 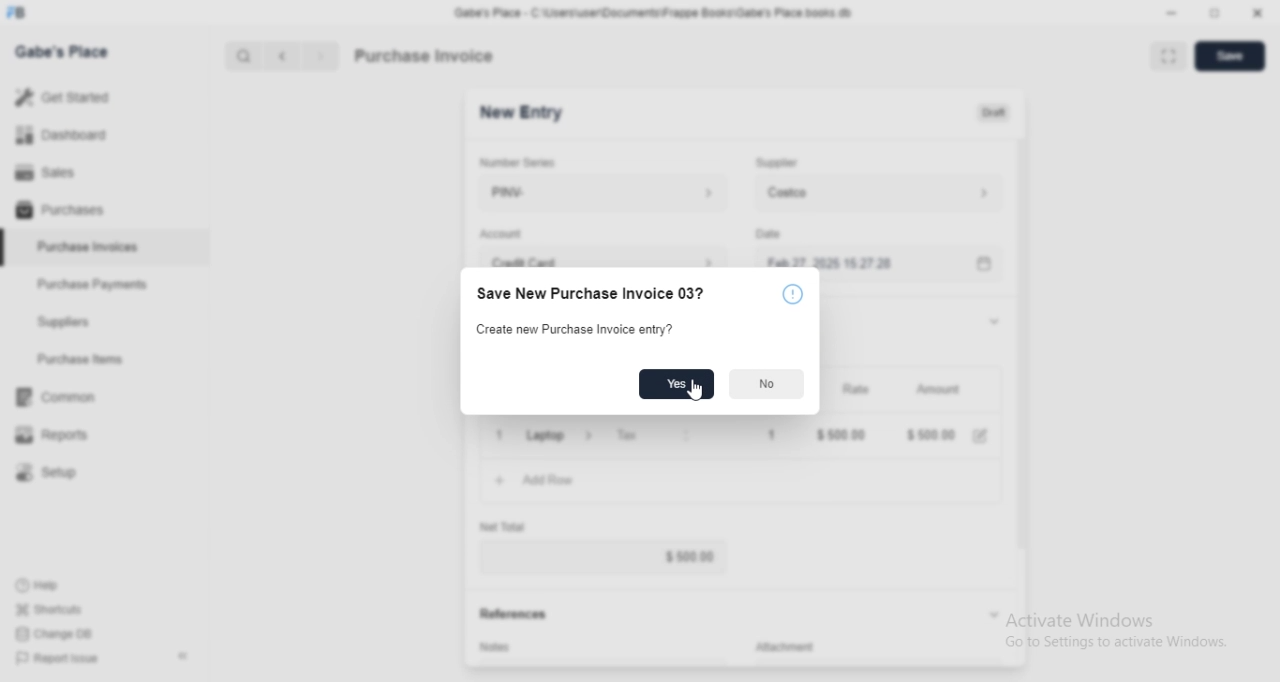 What do you see at coordinates (104, 208) in the screenshot?
I see `Purchases` at bounding box center [104, 208].